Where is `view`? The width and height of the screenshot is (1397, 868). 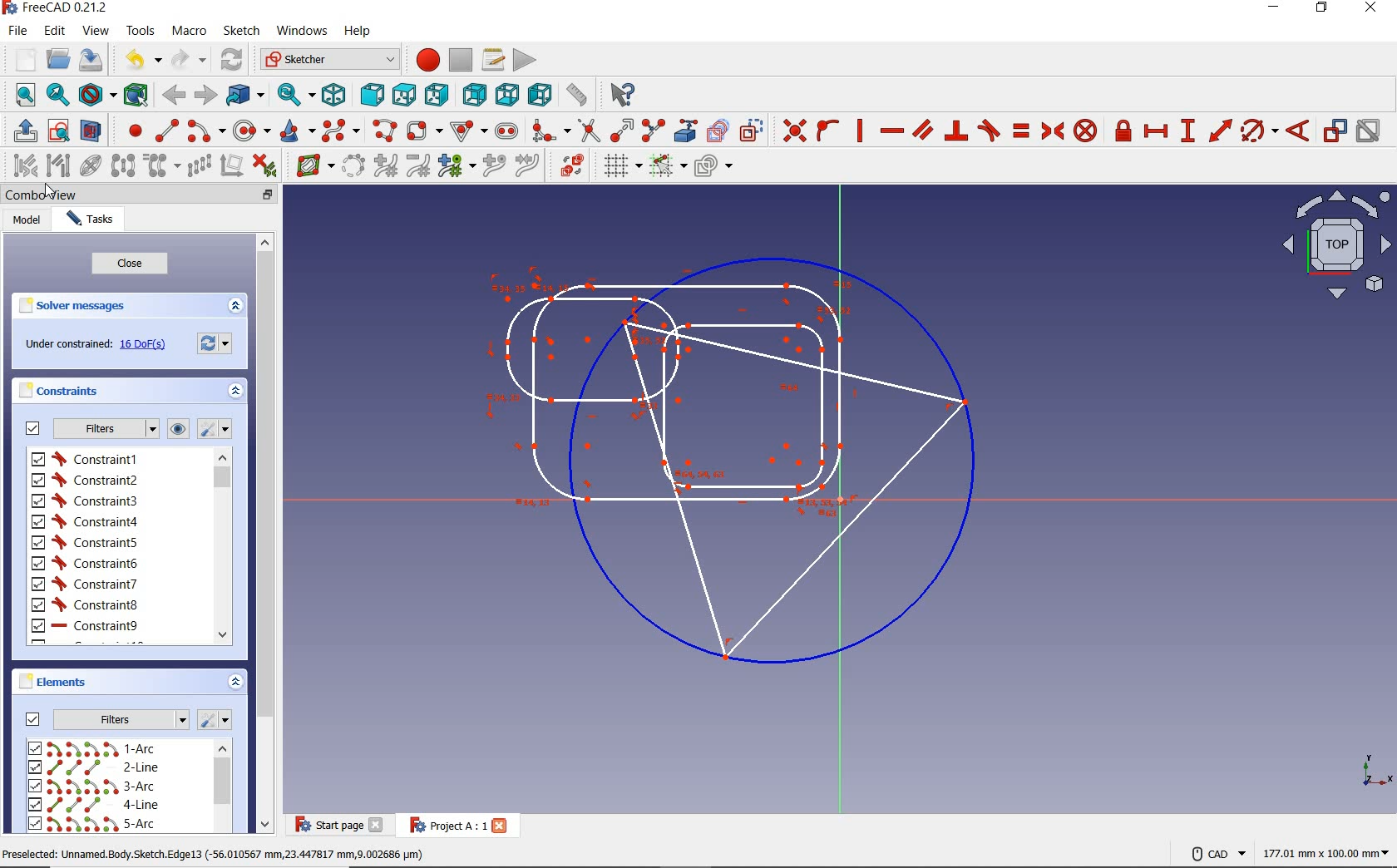
view is located at coordinates (96, 32).